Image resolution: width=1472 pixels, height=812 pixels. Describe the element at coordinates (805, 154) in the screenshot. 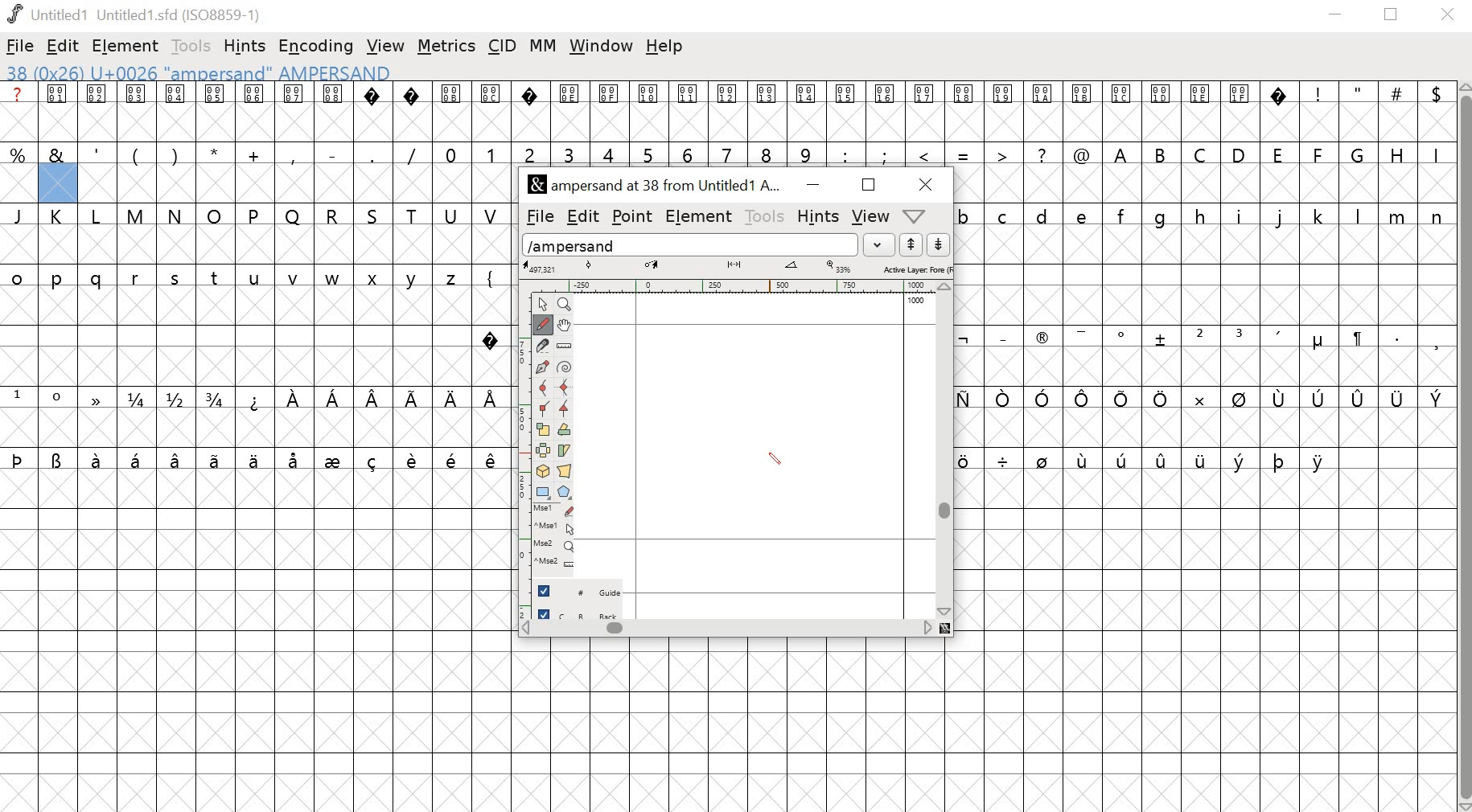

I see `9` at that location.